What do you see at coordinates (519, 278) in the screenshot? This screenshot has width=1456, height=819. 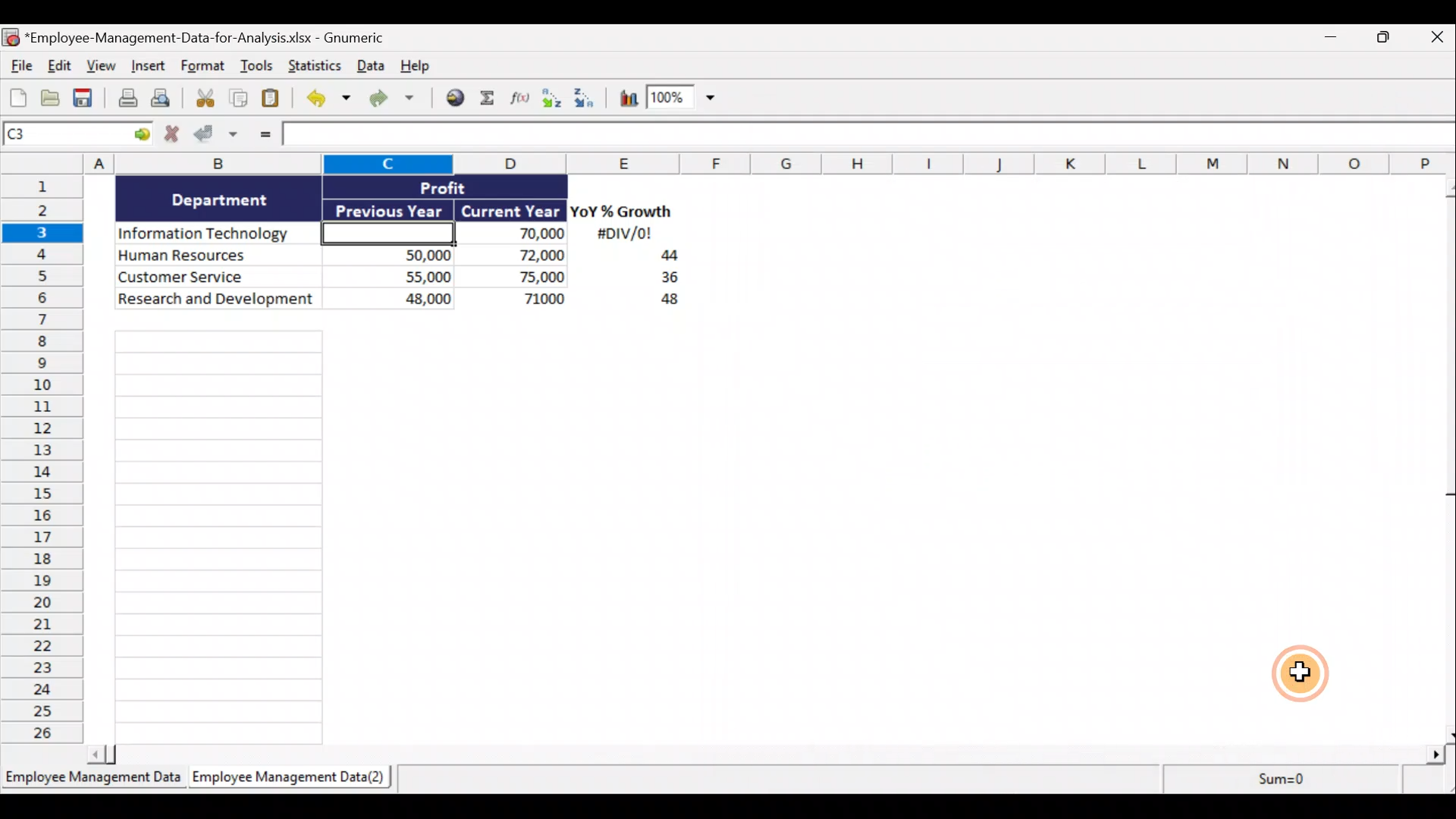 I see `75,000` at bounding box center [519, 278].